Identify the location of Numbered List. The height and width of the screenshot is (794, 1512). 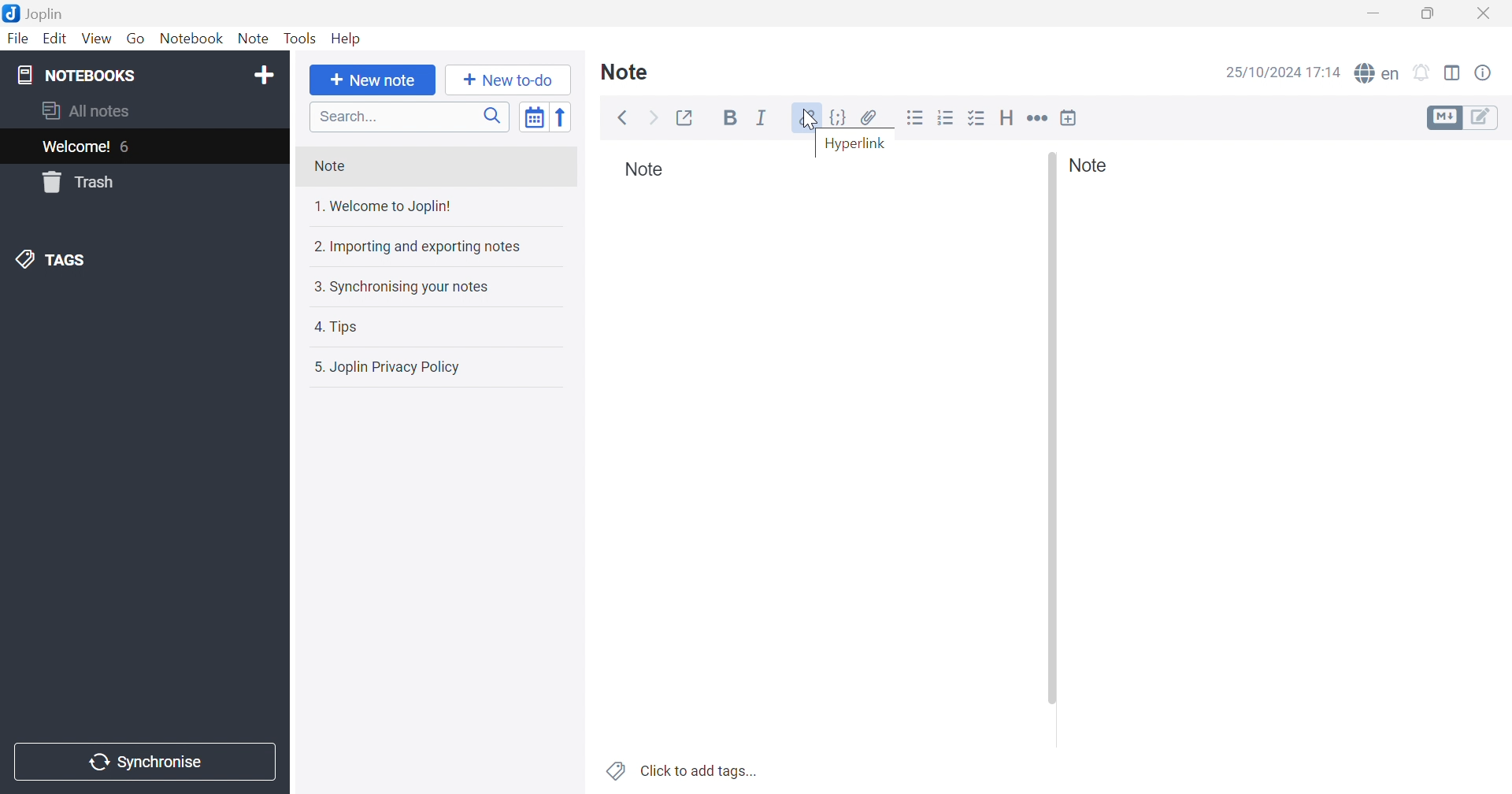
(946, 117).